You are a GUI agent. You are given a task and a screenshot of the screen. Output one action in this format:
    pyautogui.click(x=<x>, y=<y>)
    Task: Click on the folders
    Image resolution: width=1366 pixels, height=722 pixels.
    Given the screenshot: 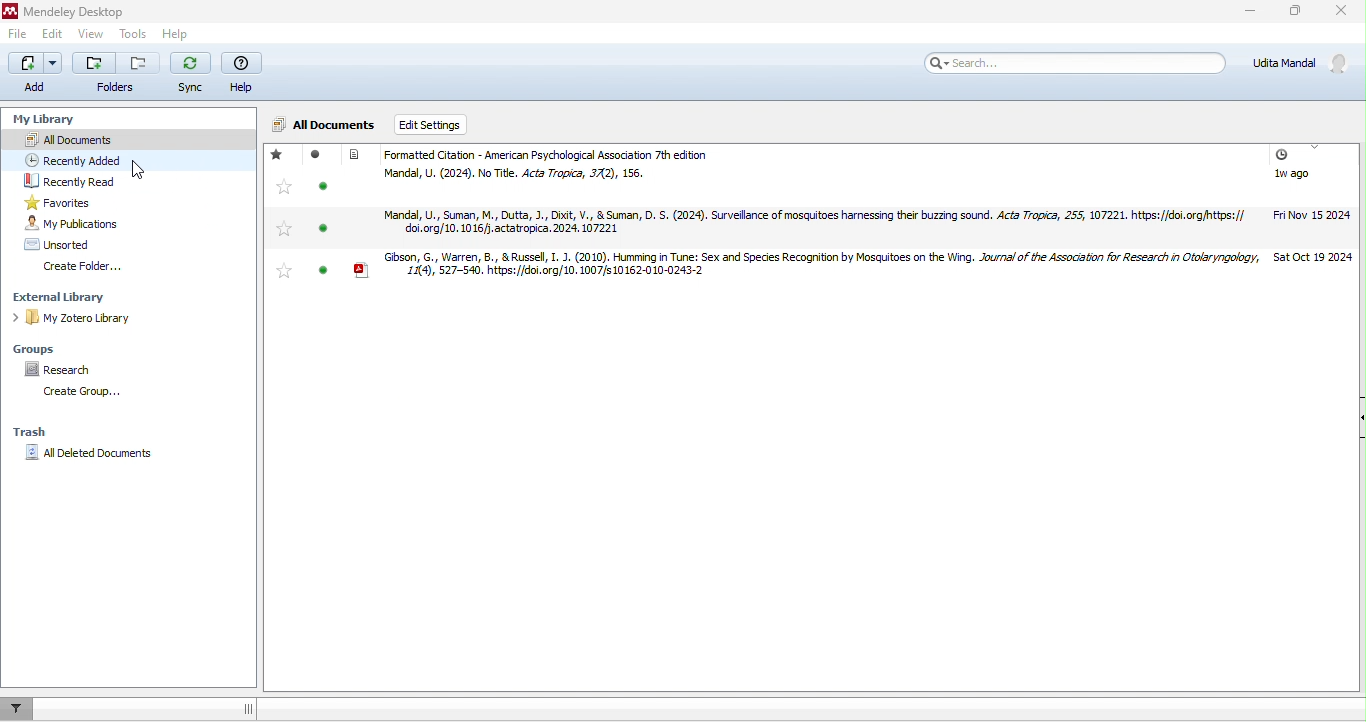 What is the action you would take?
    pyautogui.click(x=117, y=75)
    